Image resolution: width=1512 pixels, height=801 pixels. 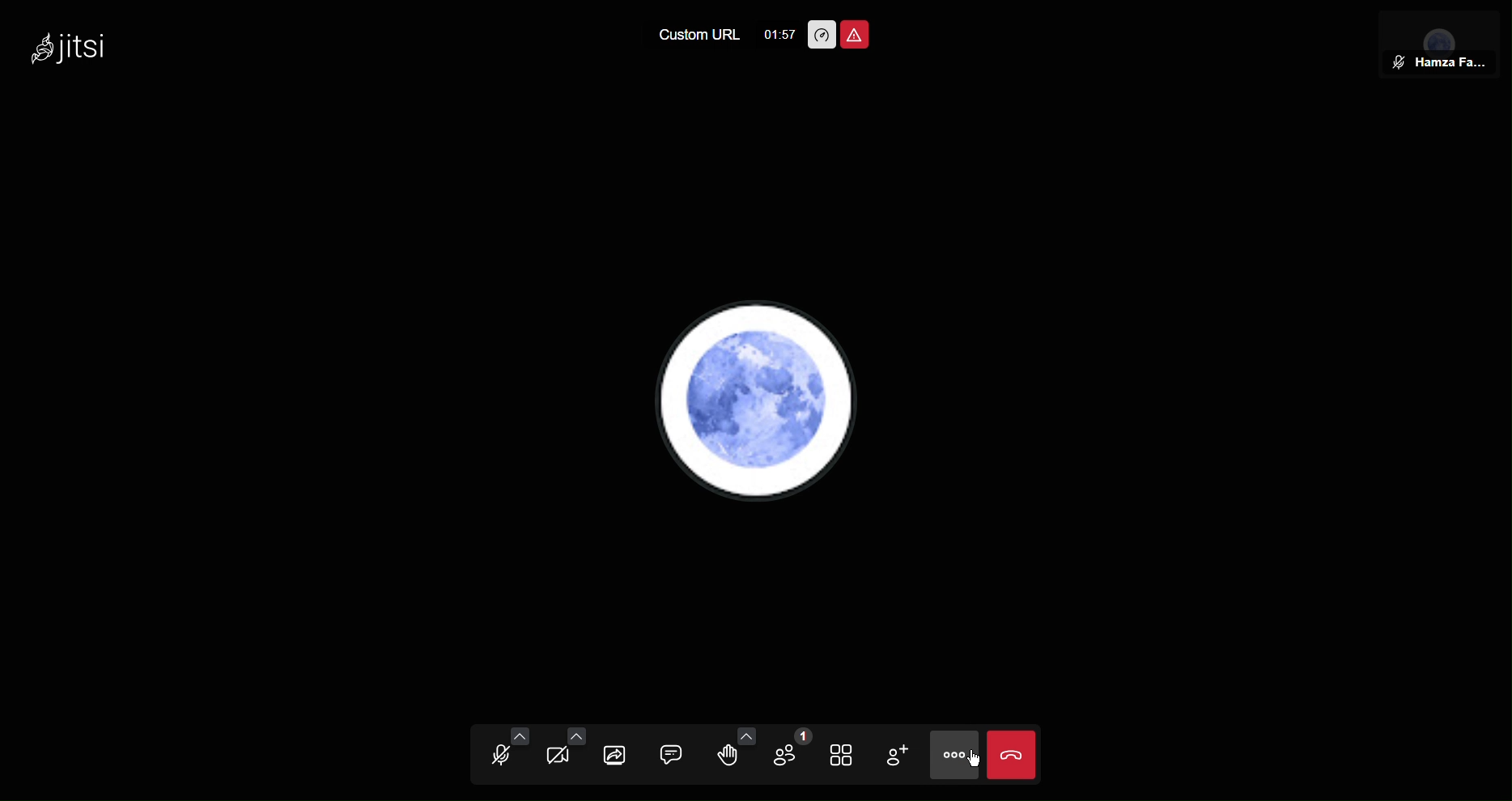 I want to click on Participants, so click(x=788, y=756).